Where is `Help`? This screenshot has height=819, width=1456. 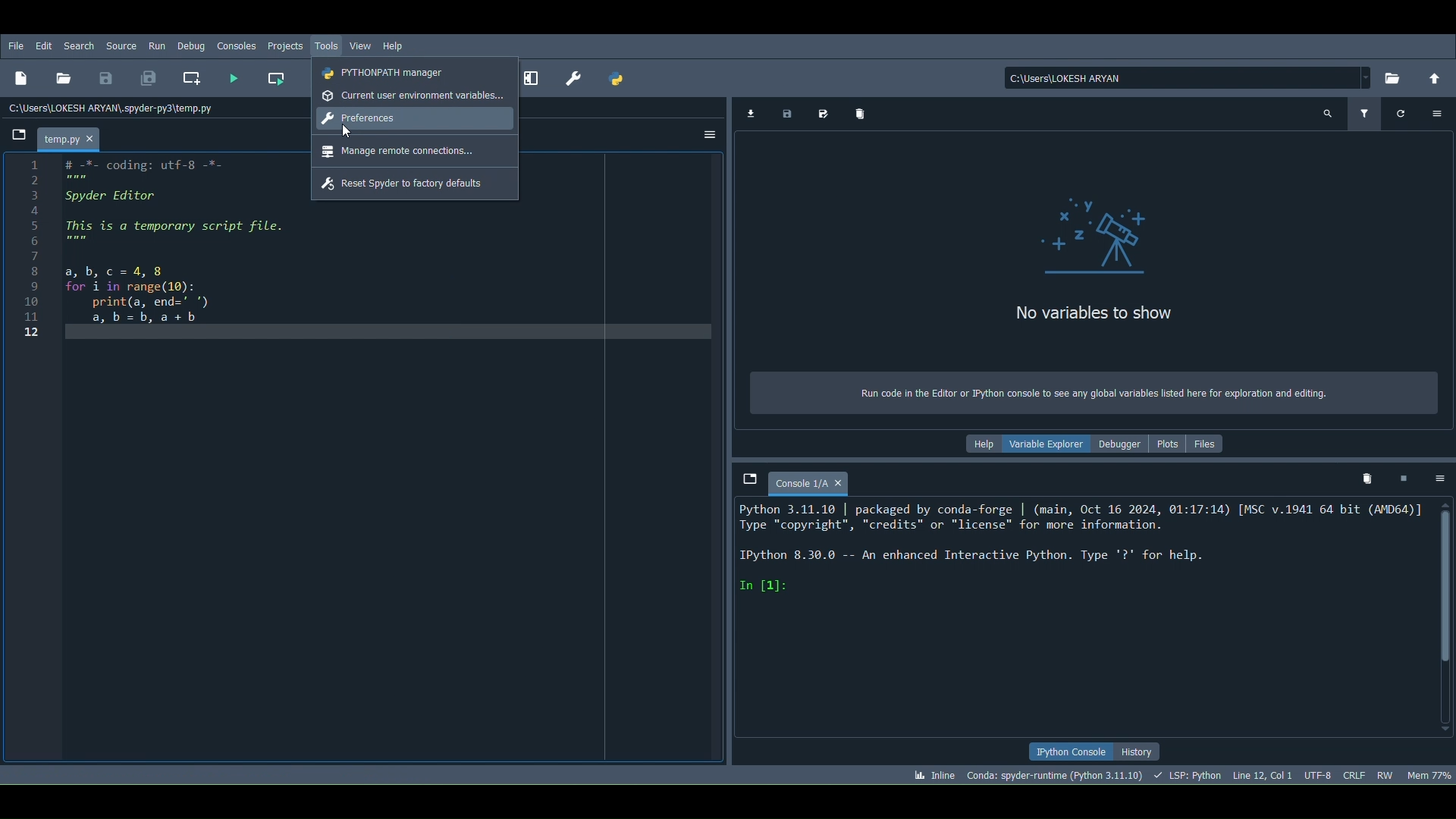
Help is located at coordinates (977, 444).